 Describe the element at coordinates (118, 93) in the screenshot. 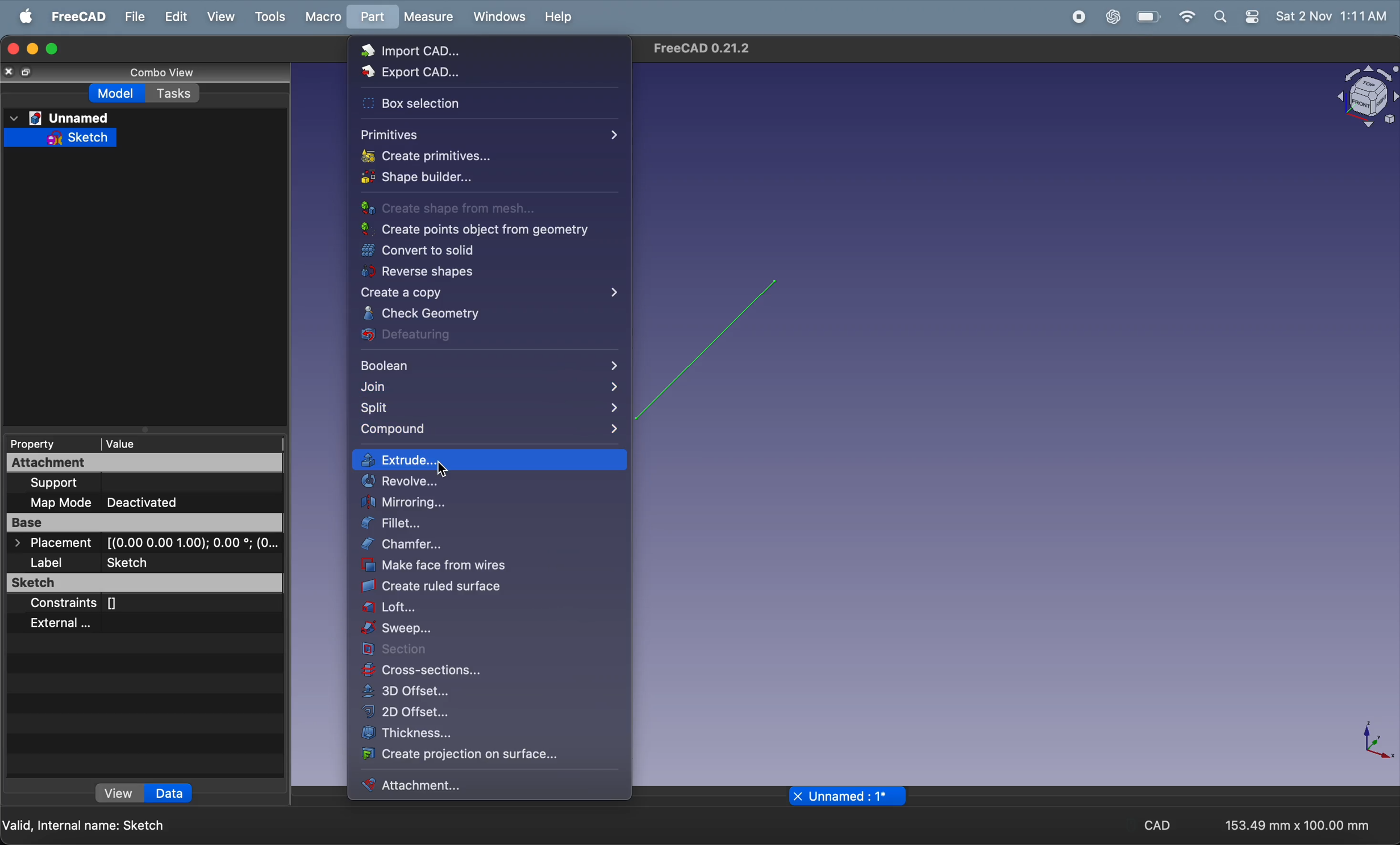

I see `model` at that location.